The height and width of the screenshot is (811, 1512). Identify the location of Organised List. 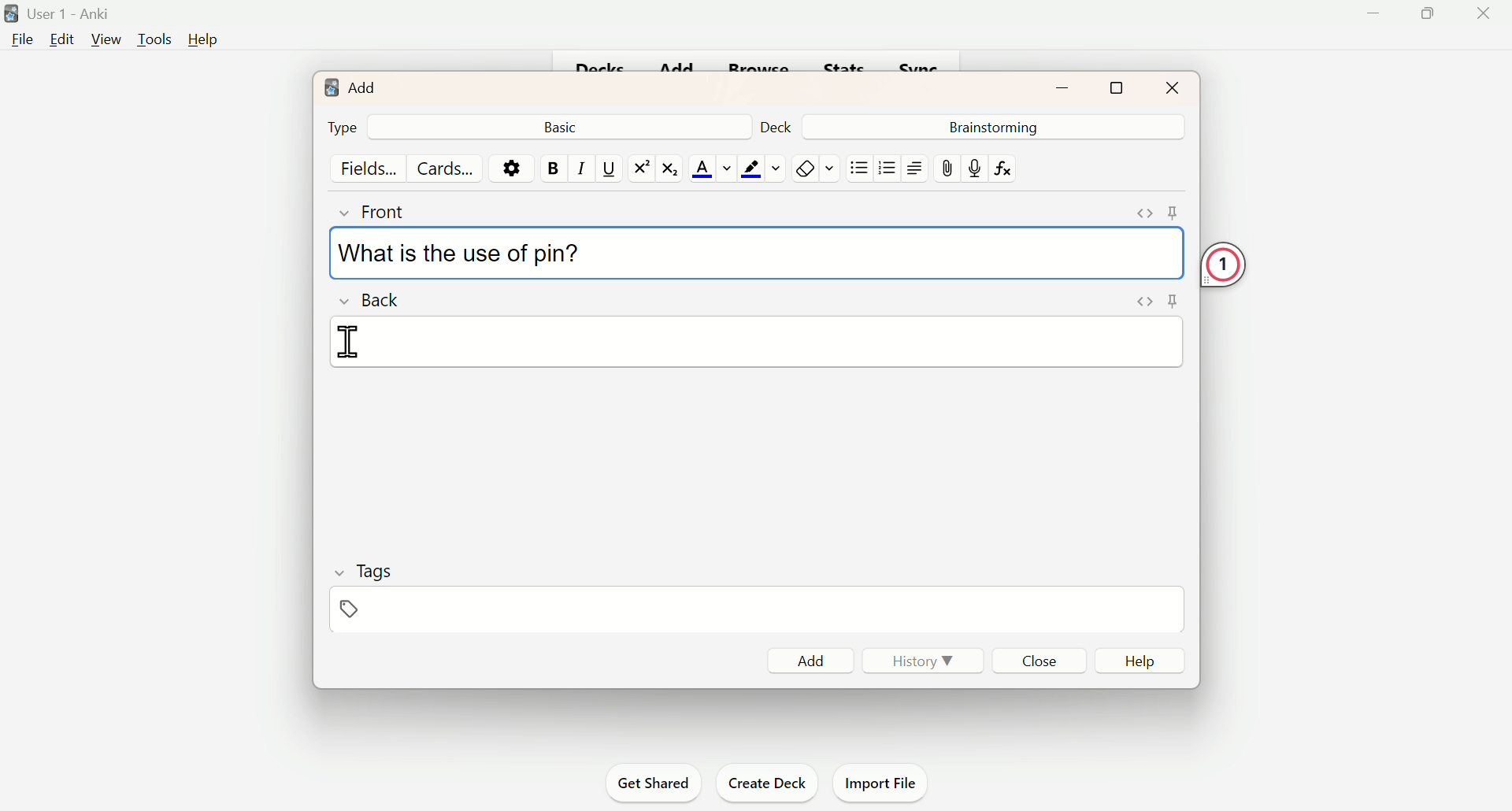
(884, 167).